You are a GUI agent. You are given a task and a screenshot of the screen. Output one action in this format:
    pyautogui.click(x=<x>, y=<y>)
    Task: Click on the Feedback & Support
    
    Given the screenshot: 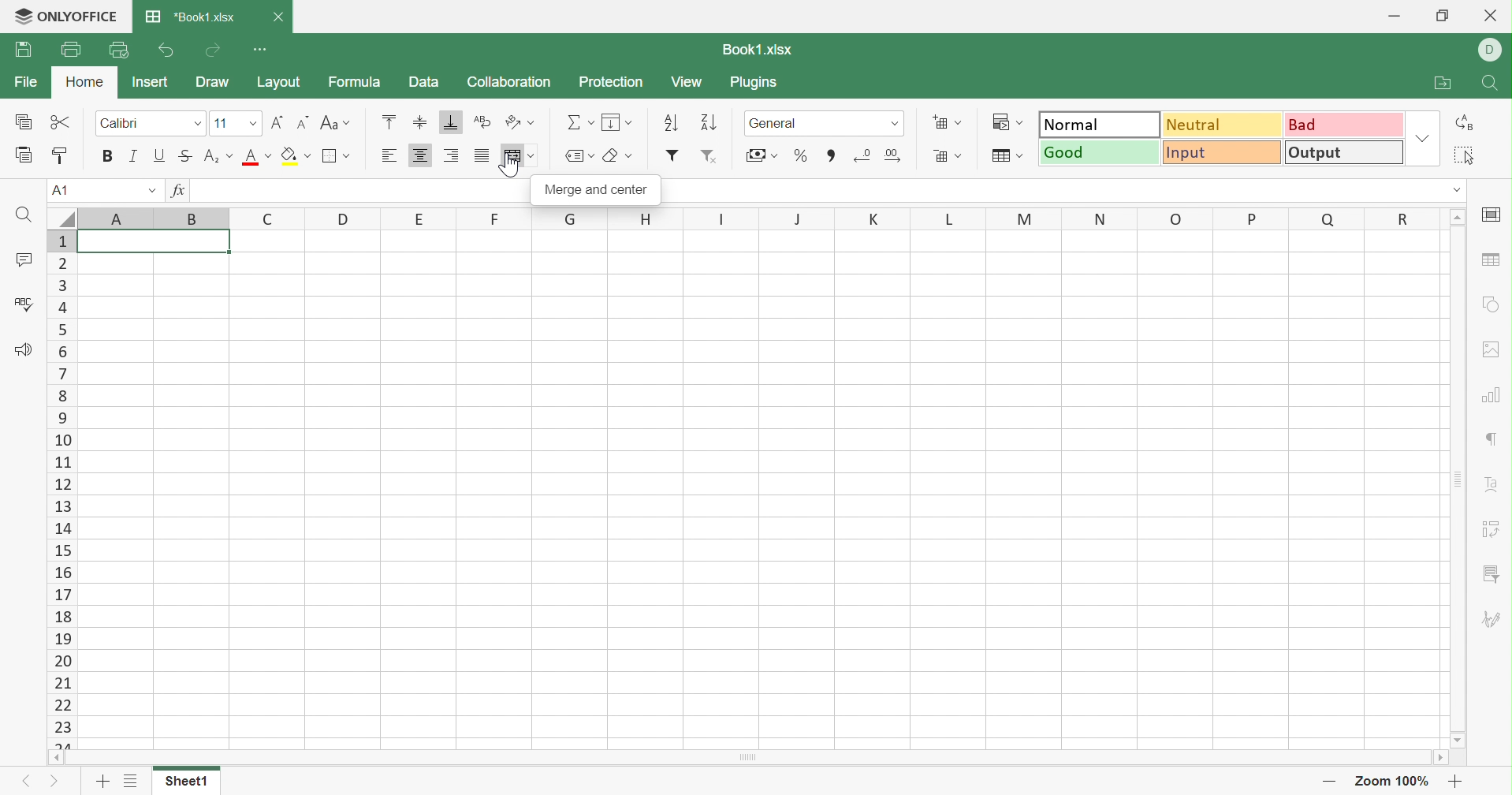 What is the action you would take?
    pyautogui.click(x=25, y=350)
    